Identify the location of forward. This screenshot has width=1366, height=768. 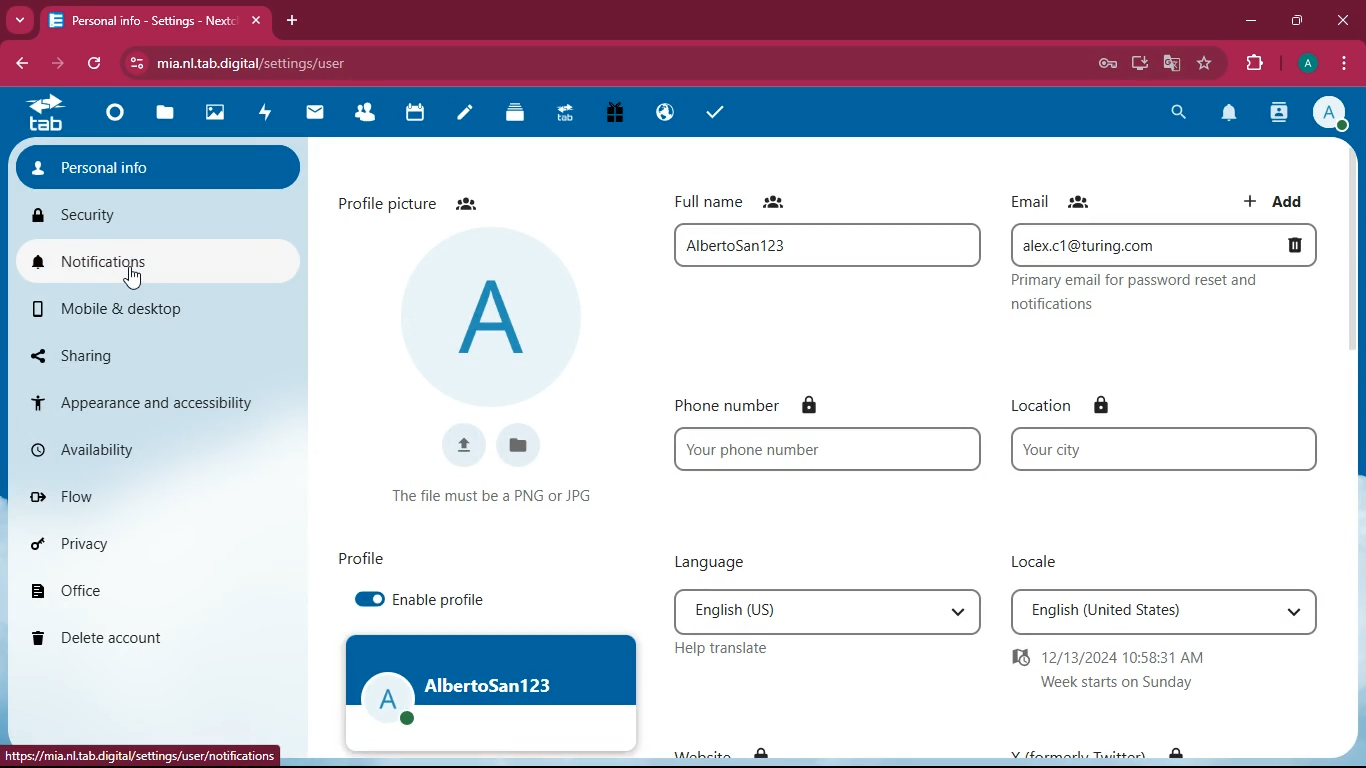
(55, 64).